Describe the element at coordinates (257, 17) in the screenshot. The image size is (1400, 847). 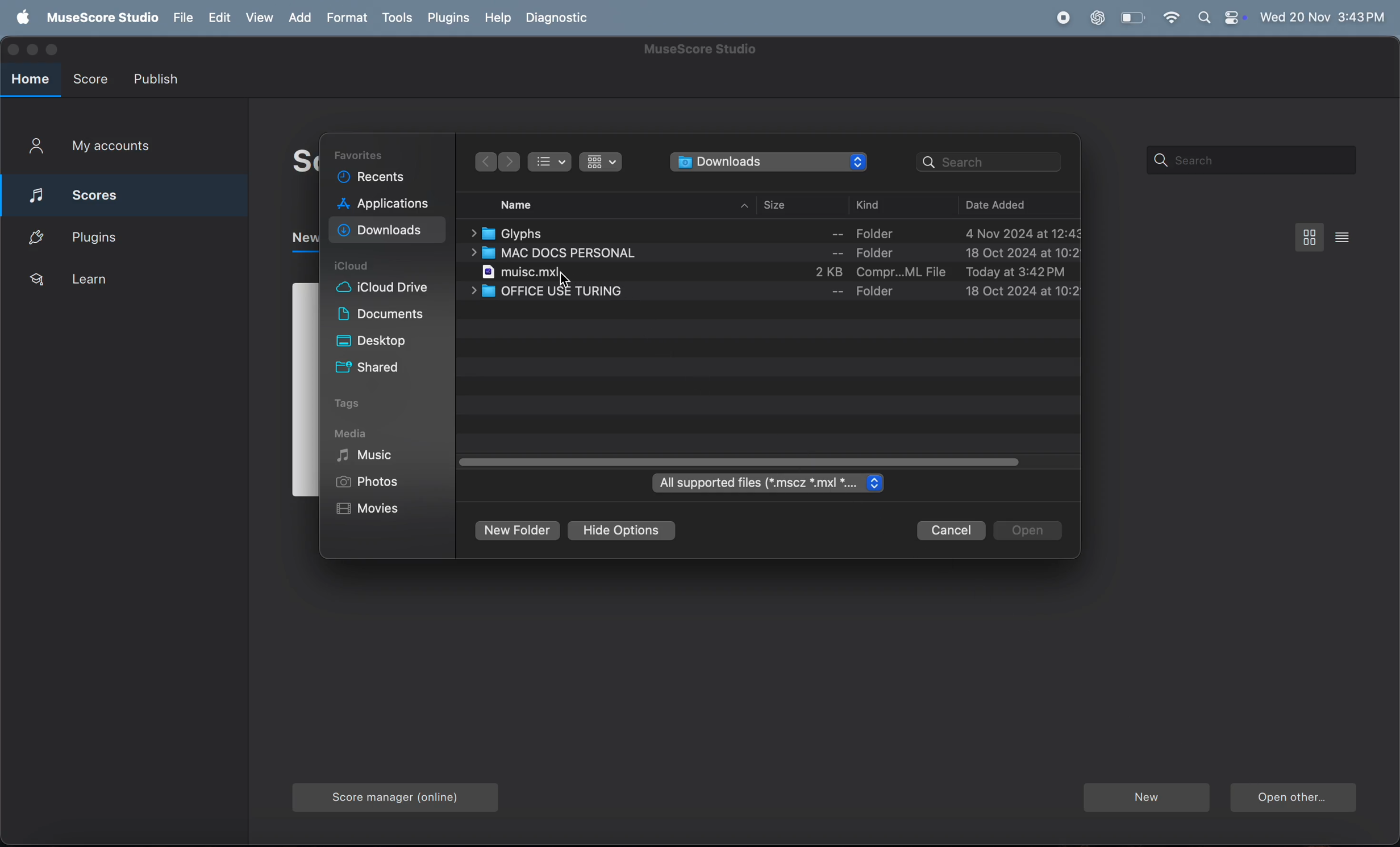
I see `view` at that location.